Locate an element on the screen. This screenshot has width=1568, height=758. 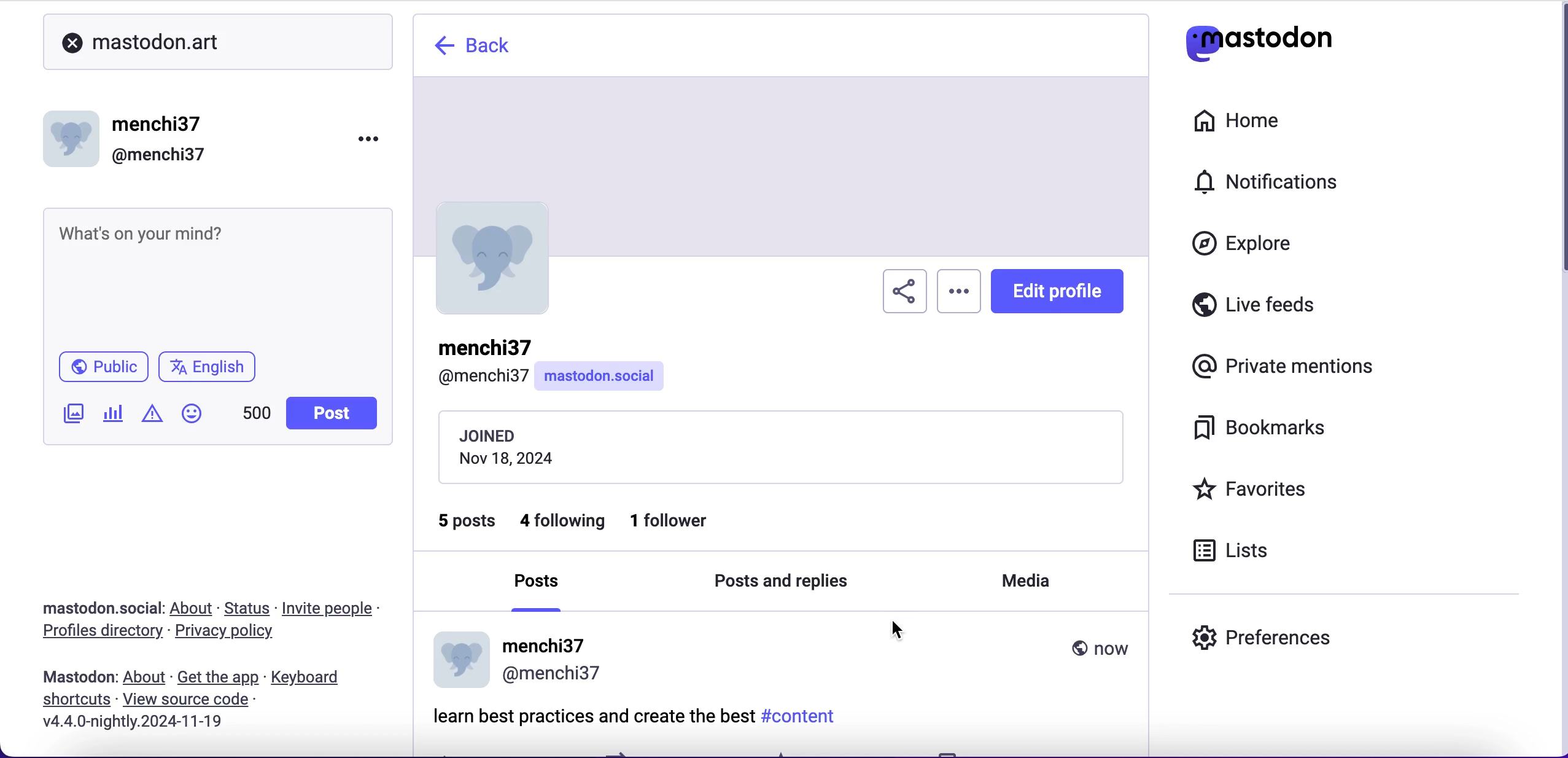
mastodon.social is located at coordinates (96, 605).